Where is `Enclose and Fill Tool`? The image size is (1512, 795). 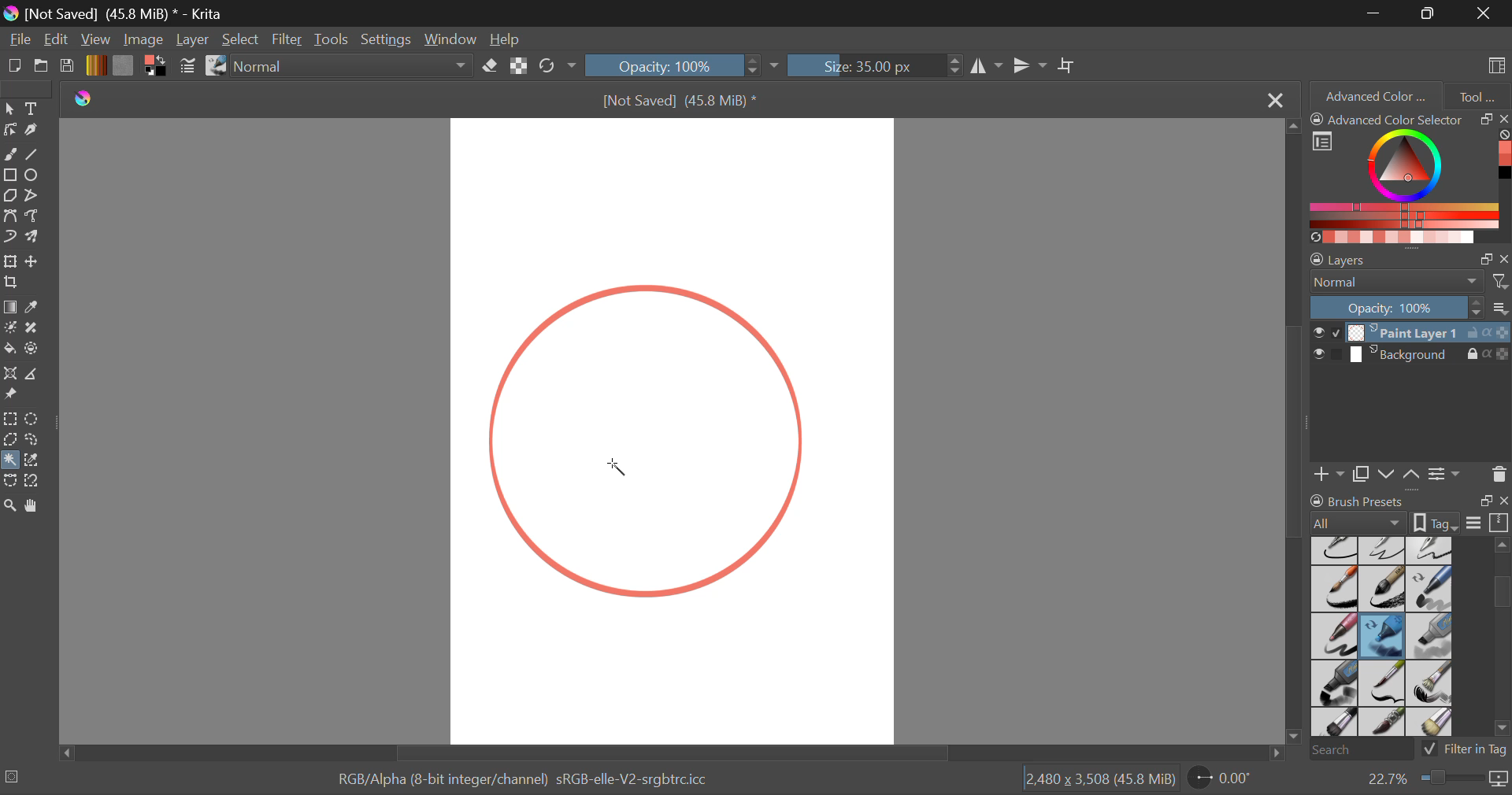 Enclose and Fill Tool is located at coordinates (33, 349).